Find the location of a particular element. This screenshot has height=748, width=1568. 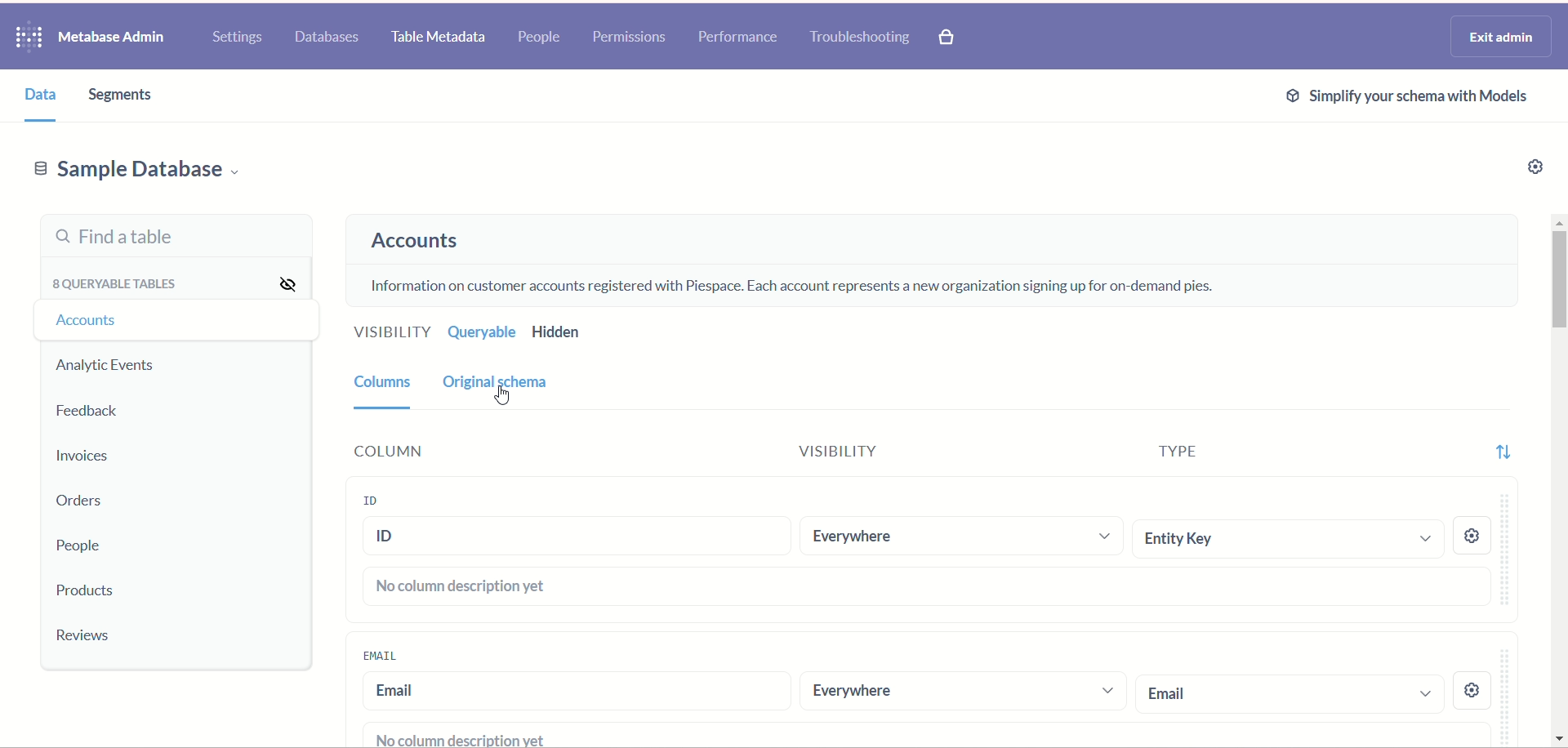

visibility is located at coordinates (385, 332).